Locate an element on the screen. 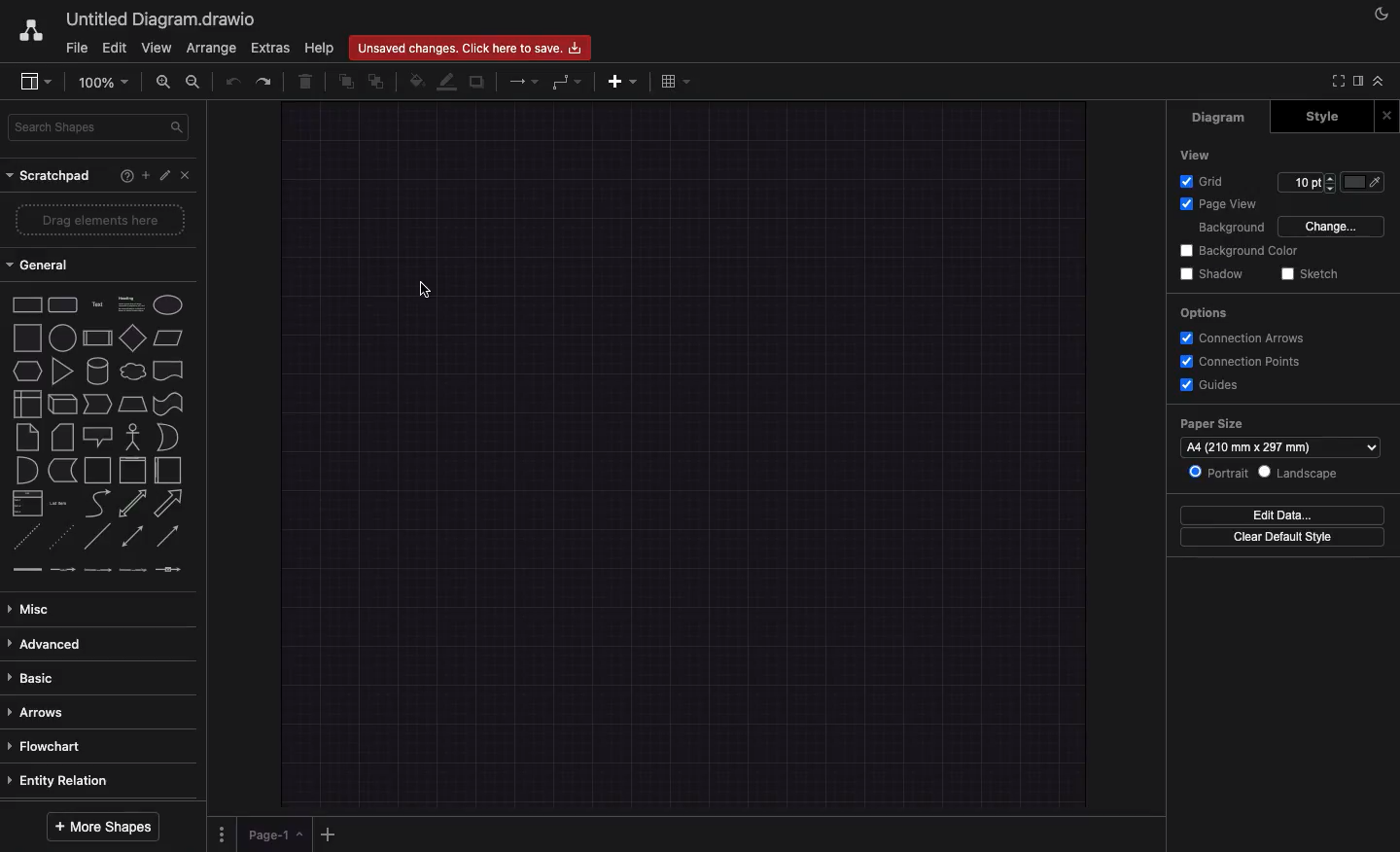  More shapes is located at coordinates (110, 828).